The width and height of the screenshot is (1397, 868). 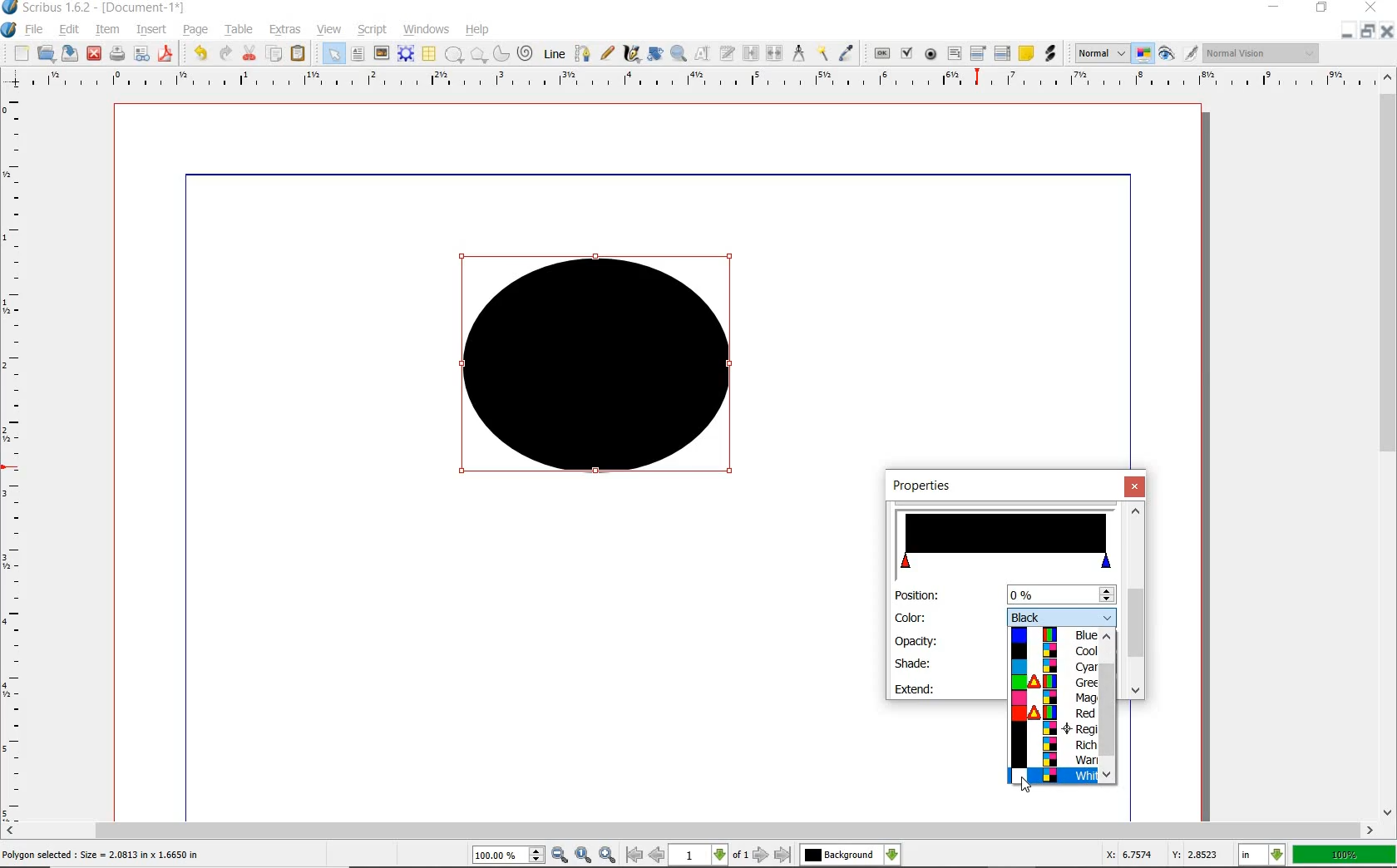 What do you see at coordinates (1346, 32) in the screenshot?
I see `MINIMIZE` at bounding box center [1346, 32].